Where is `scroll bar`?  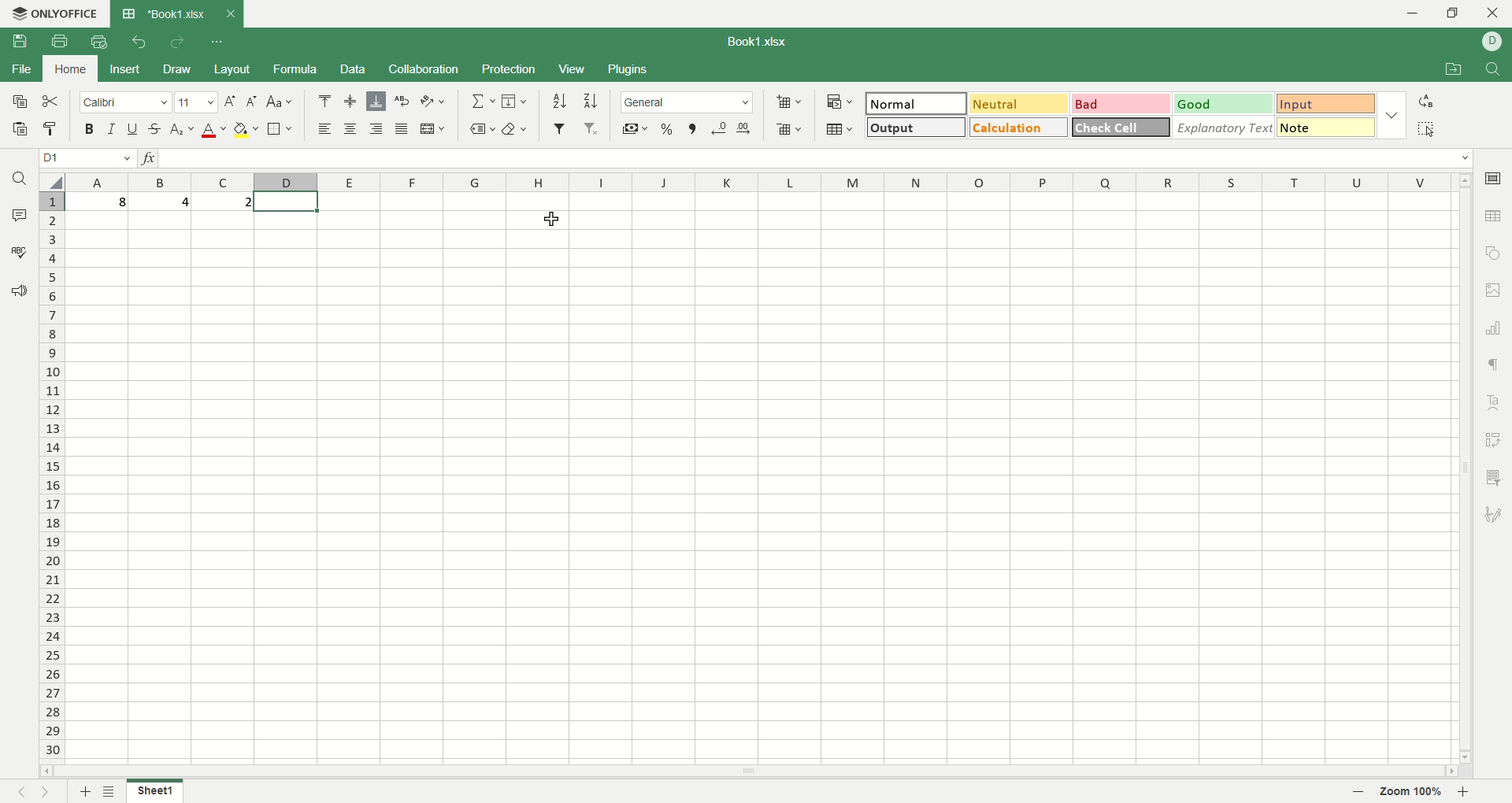
scroll bar is located at coordinates (1462, 467).